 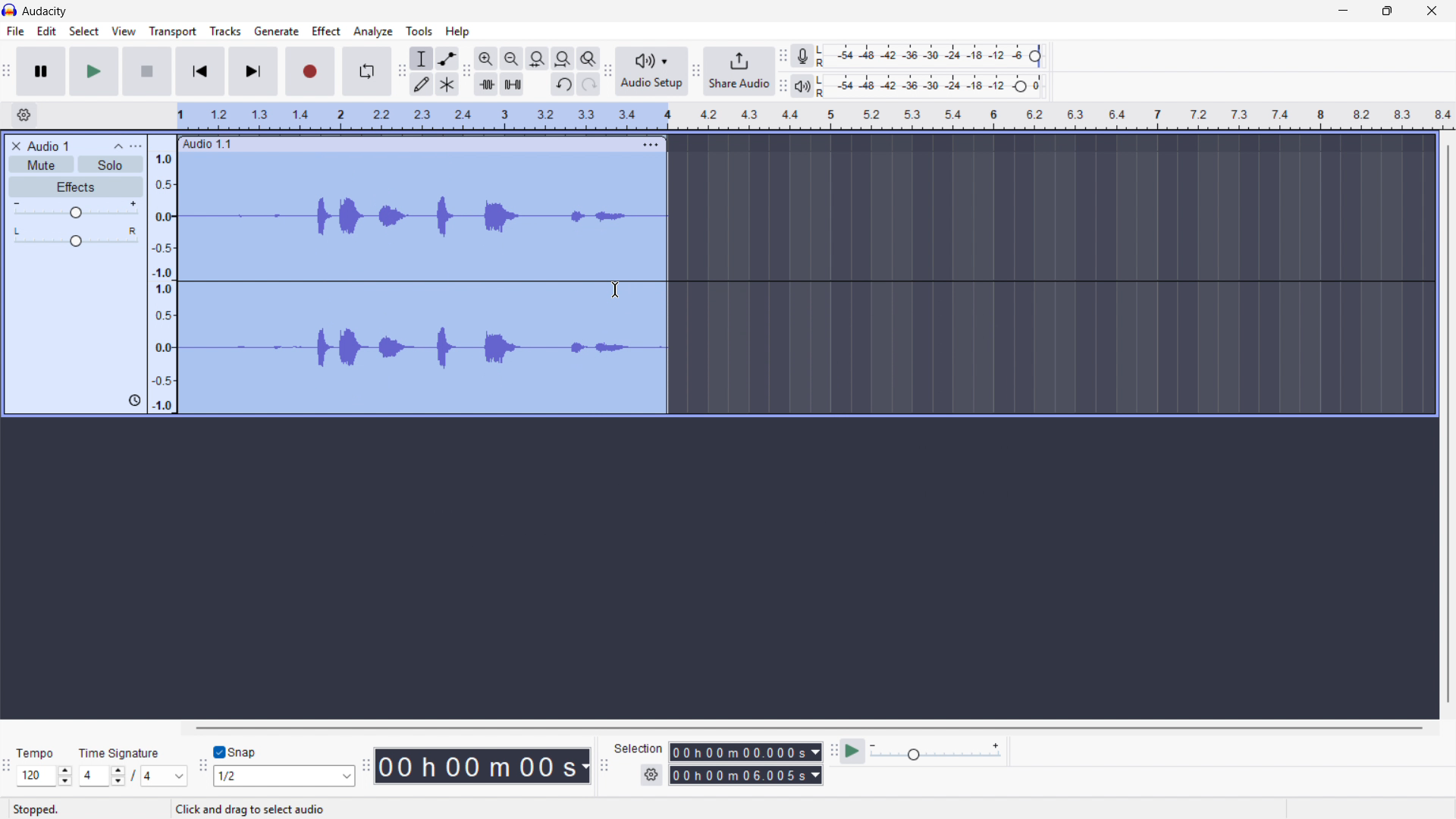 What do you see at coordinates (486, 83) in the screenshot?
I see `Trim audio outside selection` at bounding box center [486, 83].